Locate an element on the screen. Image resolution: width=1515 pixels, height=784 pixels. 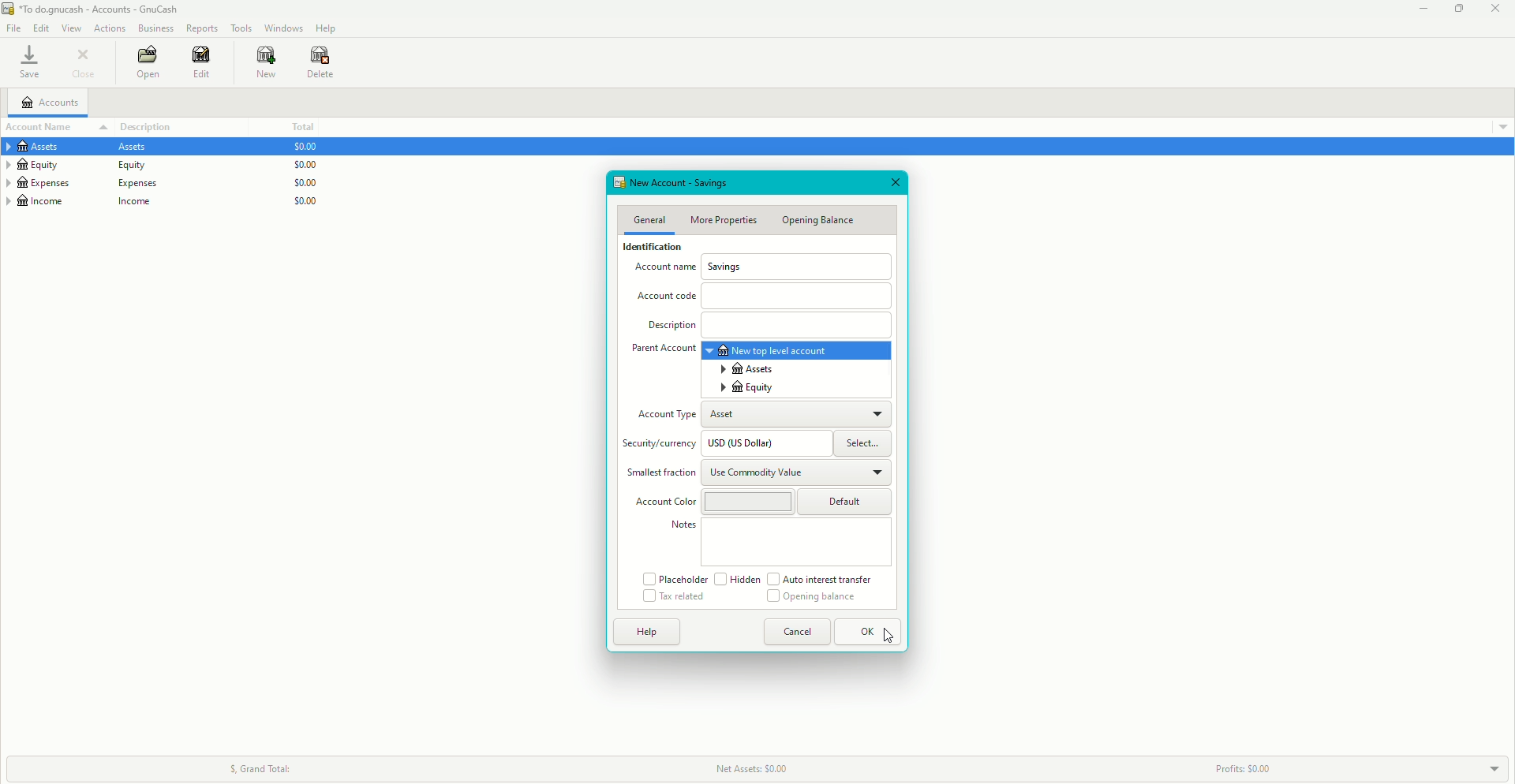
Save is located at coordinates (28, 63).